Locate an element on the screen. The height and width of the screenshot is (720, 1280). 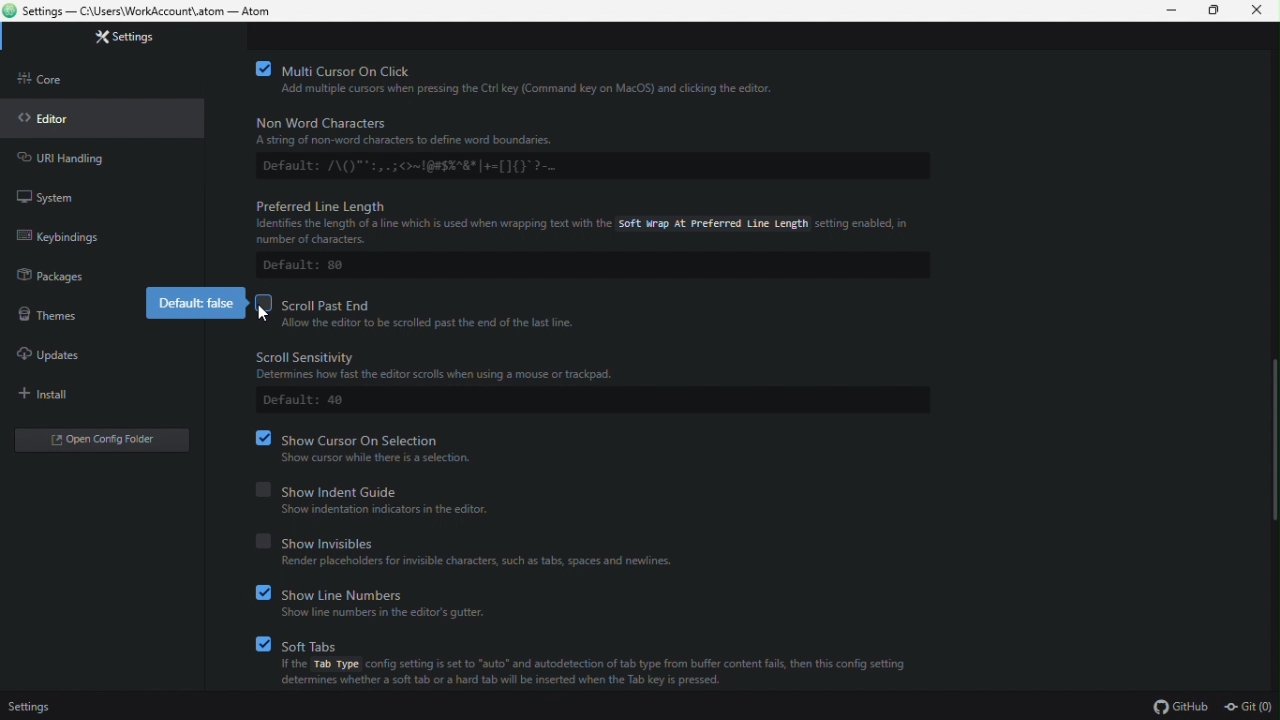
Default: 80 is located at coordinates (308, 266).